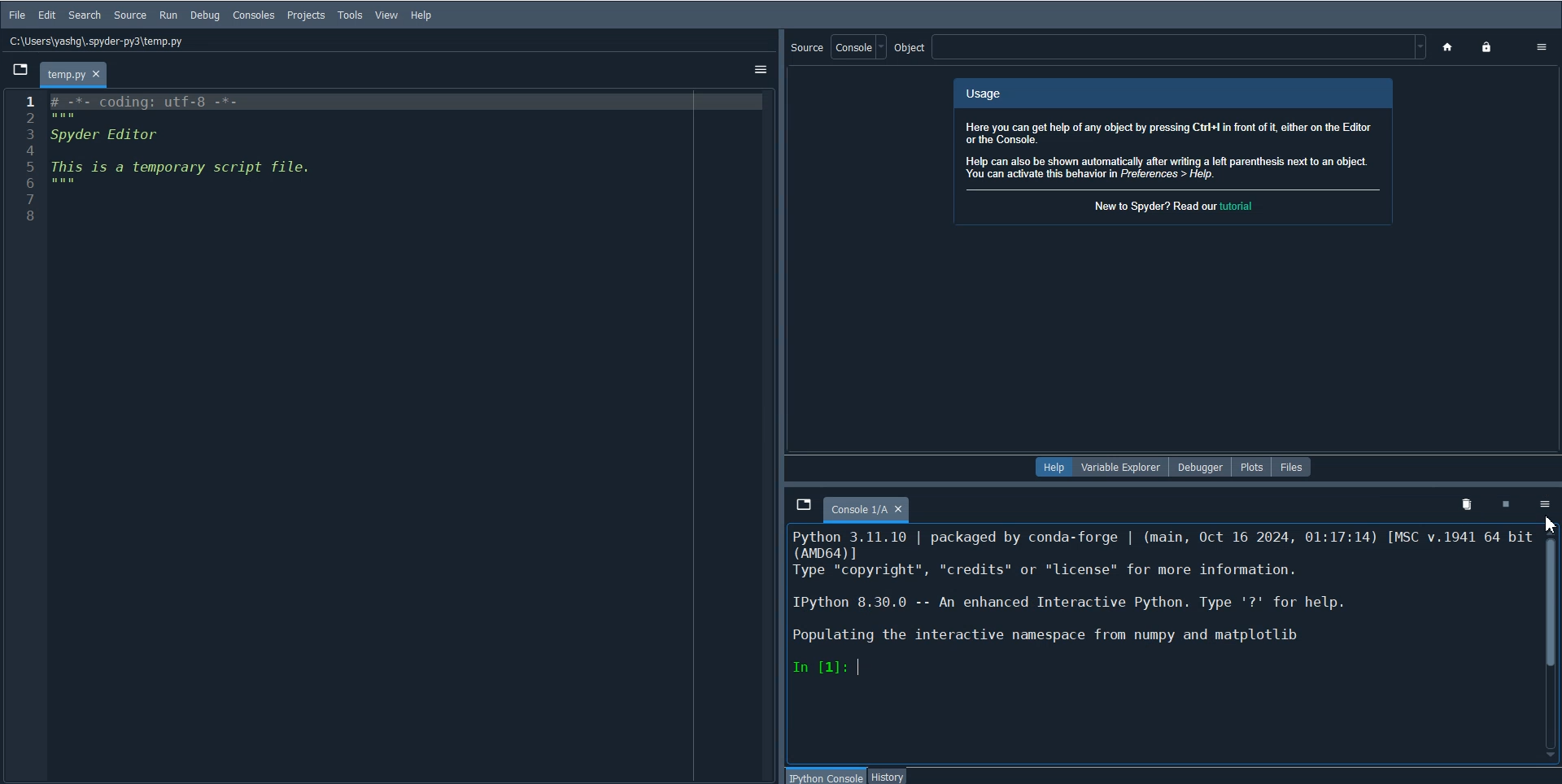  What do you see at coordinates (888, 776) in the screenshot?
I see `History` at bounding box center [888, 776].